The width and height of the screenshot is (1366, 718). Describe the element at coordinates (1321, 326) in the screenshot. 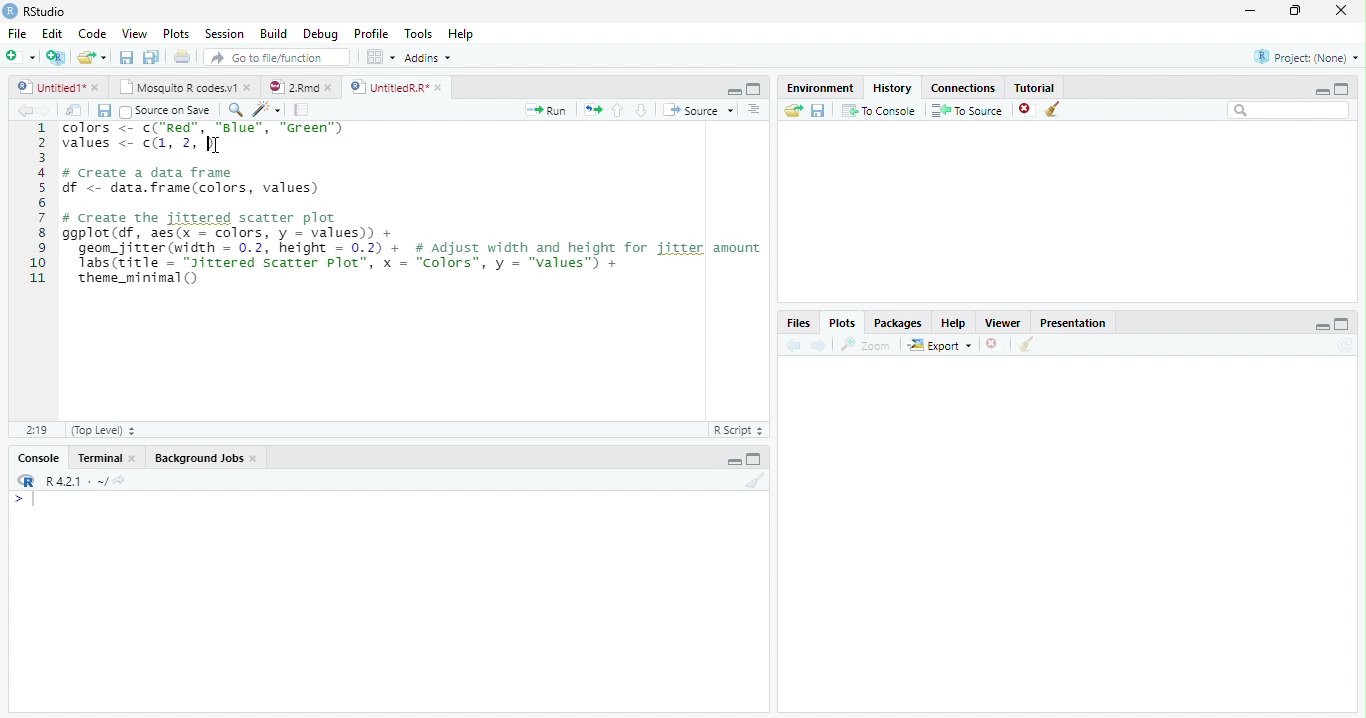

I see `Minimize` at that location.